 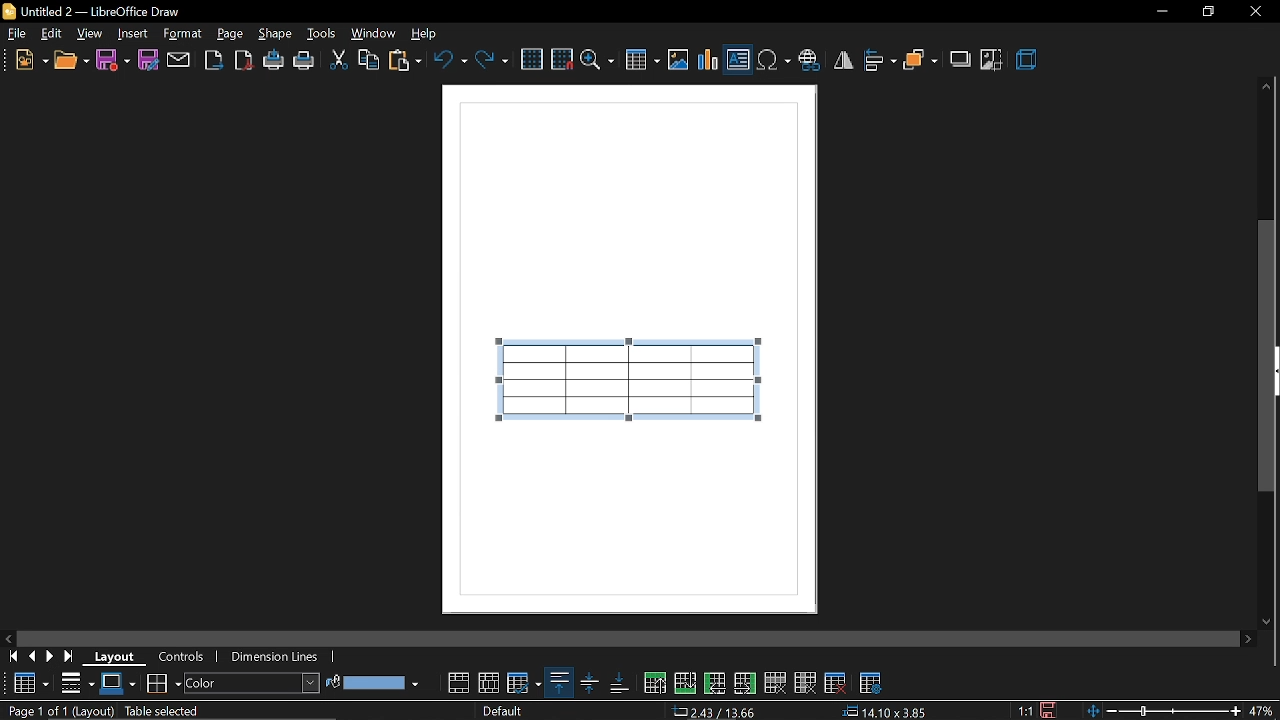 I want to click on shadow, so click(x=958, y=60).